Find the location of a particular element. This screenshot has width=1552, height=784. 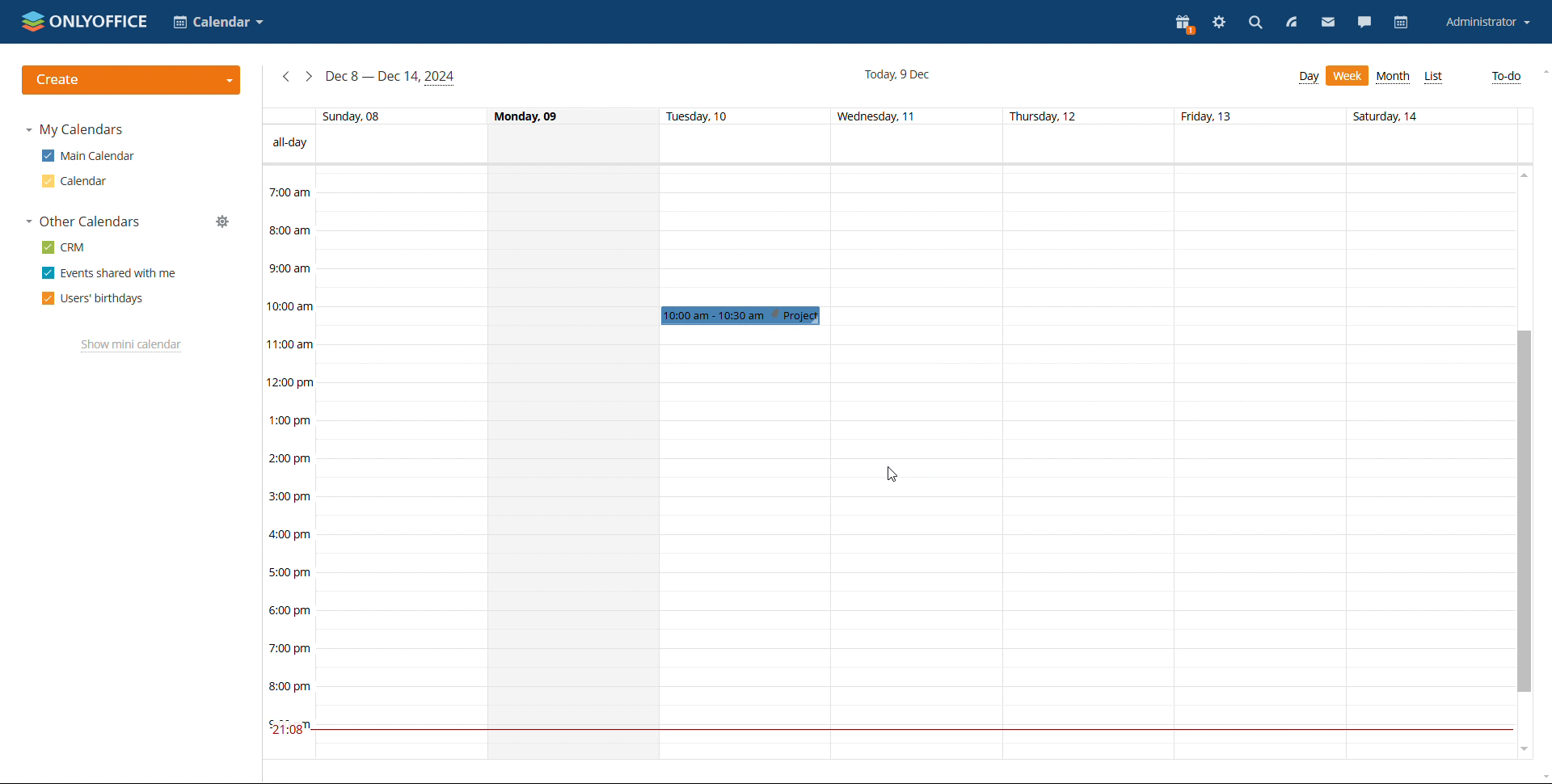

feed is located at coordinates (1292, 23).